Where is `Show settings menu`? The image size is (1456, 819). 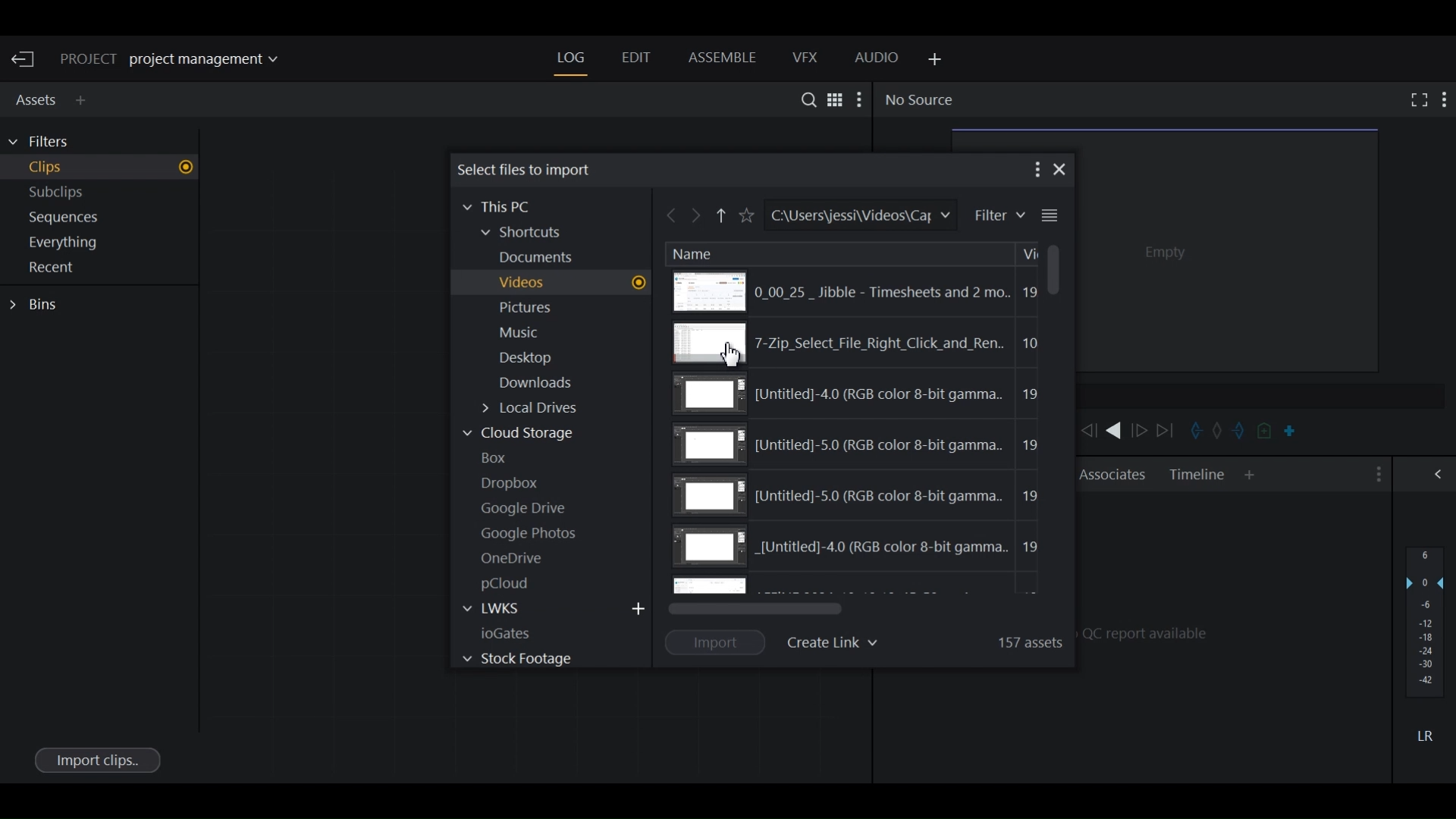 Show settings menu is located at coordinates (861, 99).